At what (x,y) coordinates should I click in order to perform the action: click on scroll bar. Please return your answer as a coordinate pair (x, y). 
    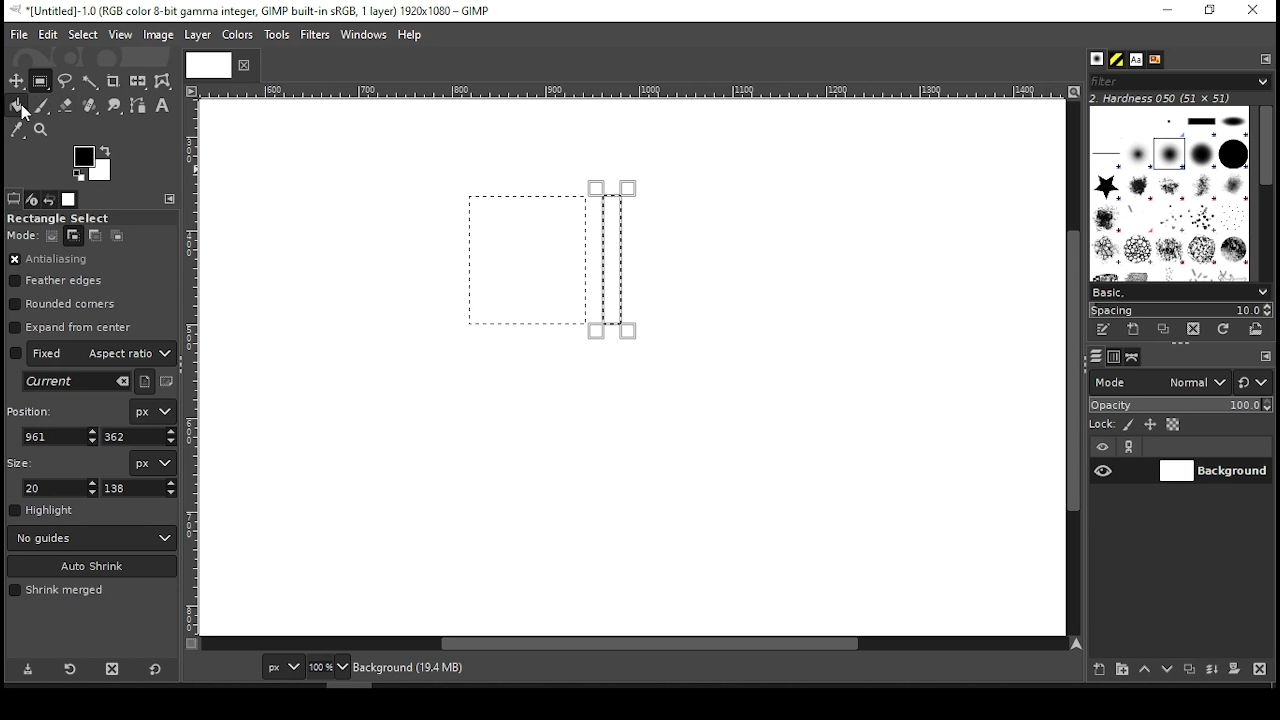
    Looking at the image, I should click on (634, 645).